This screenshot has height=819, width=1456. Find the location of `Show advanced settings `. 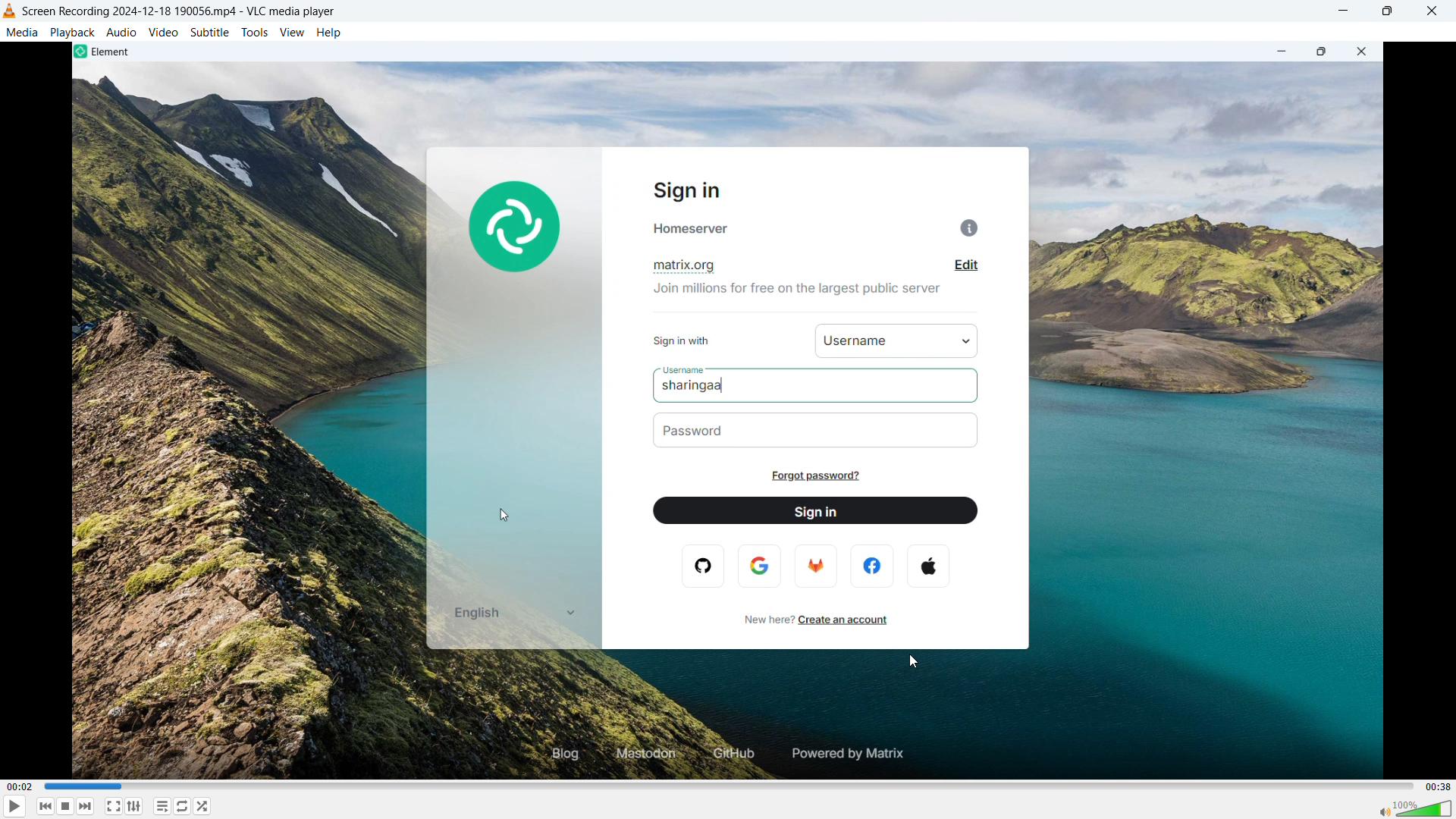

Show advanced settings  is located at coordinates (133, 806).